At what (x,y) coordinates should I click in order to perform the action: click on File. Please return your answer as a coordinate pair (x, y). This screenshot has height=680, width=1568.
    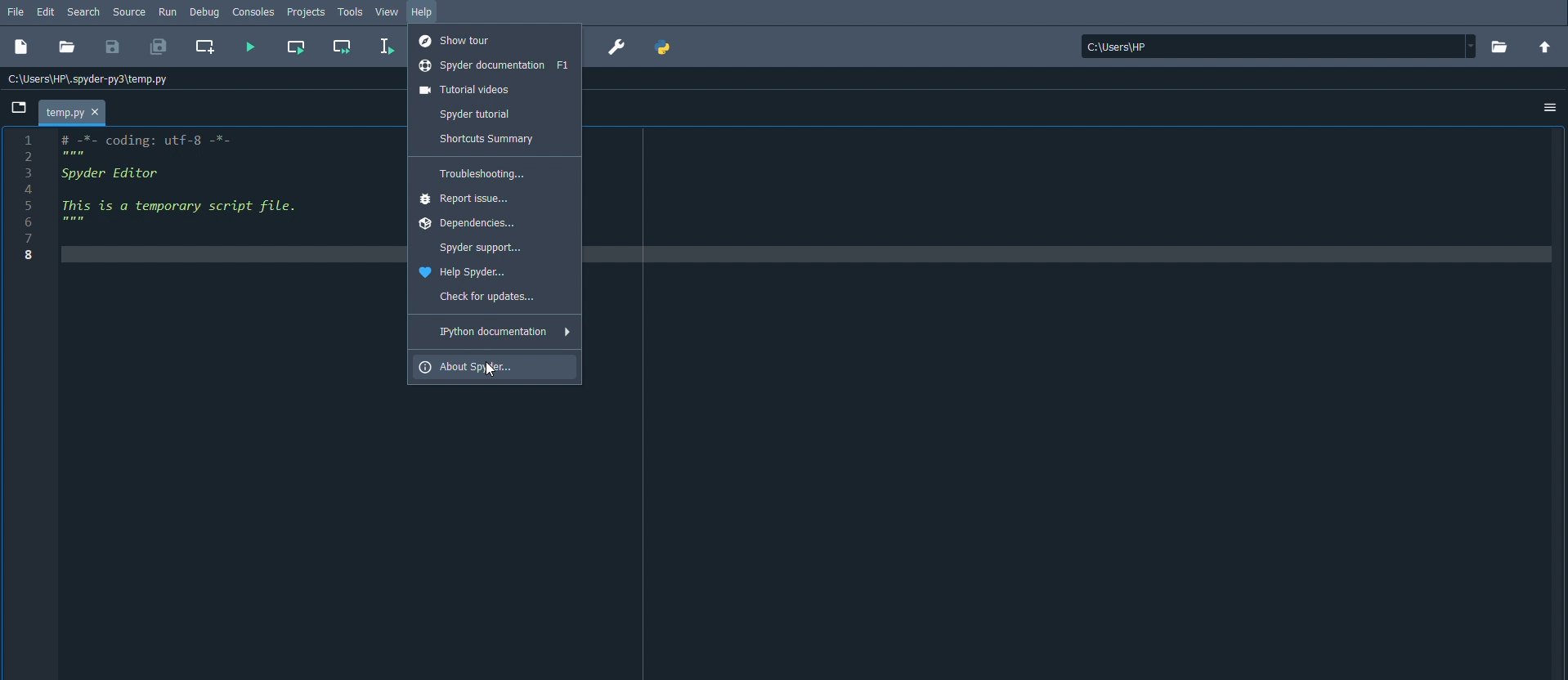
    Looking at the image, I should click on (14, 12).